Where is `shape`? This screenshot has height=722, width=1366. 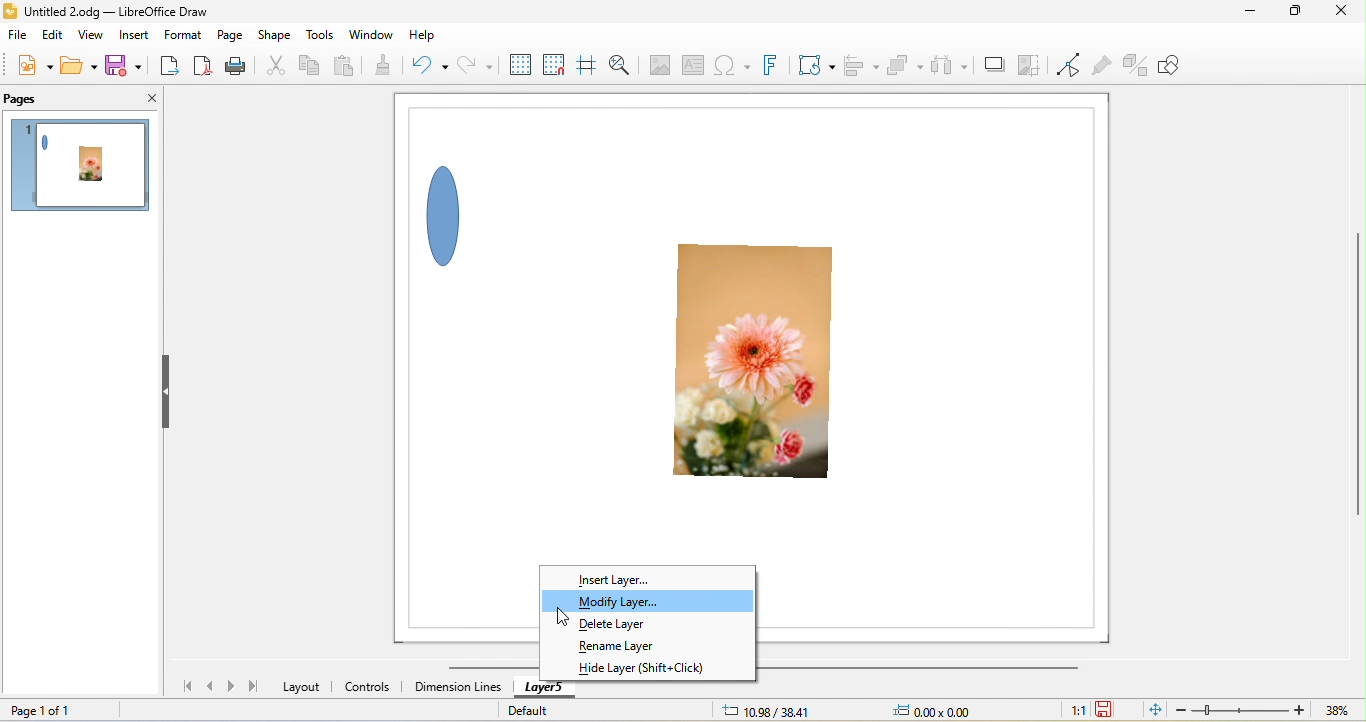
shape is located at coordinates (450, 212).